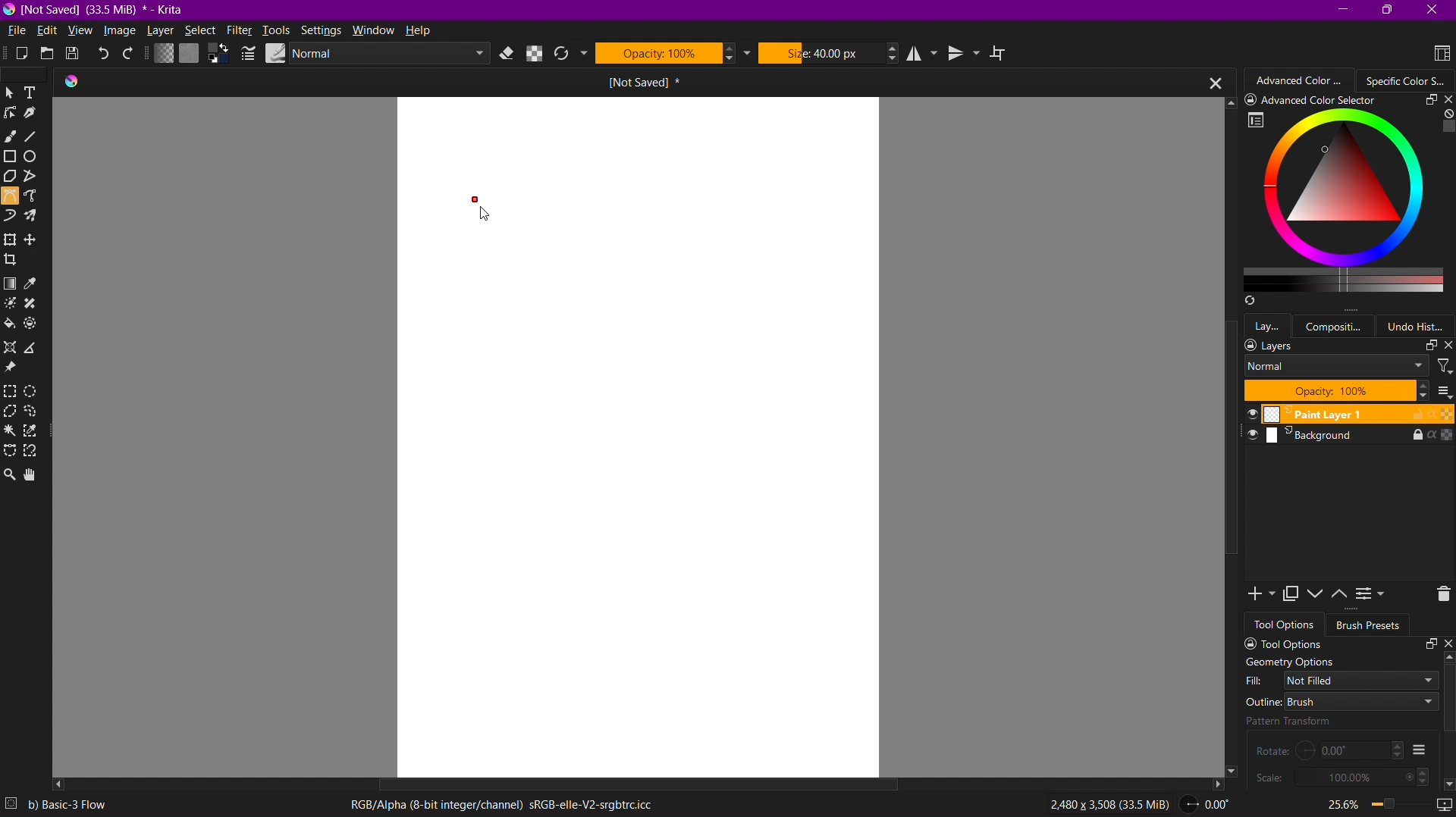 Image resolution: width=1456 pixels, height=817 pixels. What do you see at coordinates (10, 199) in the screenshot?
I see `Bezier Curve Tool` at bounding box center [10, 199].